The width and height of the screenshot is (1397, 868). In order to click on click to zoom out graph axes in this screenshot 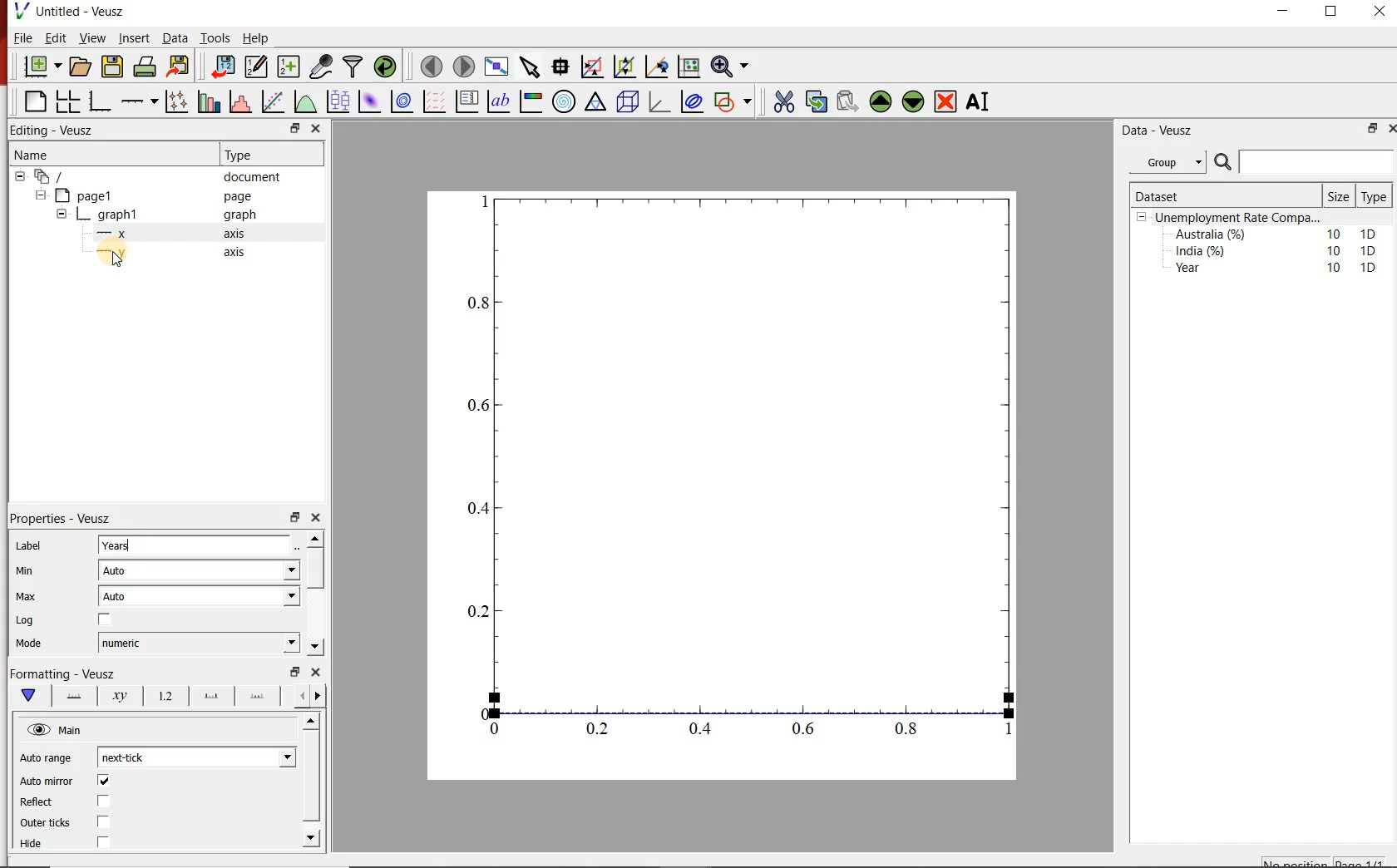, I will do `click(625, 65)`.